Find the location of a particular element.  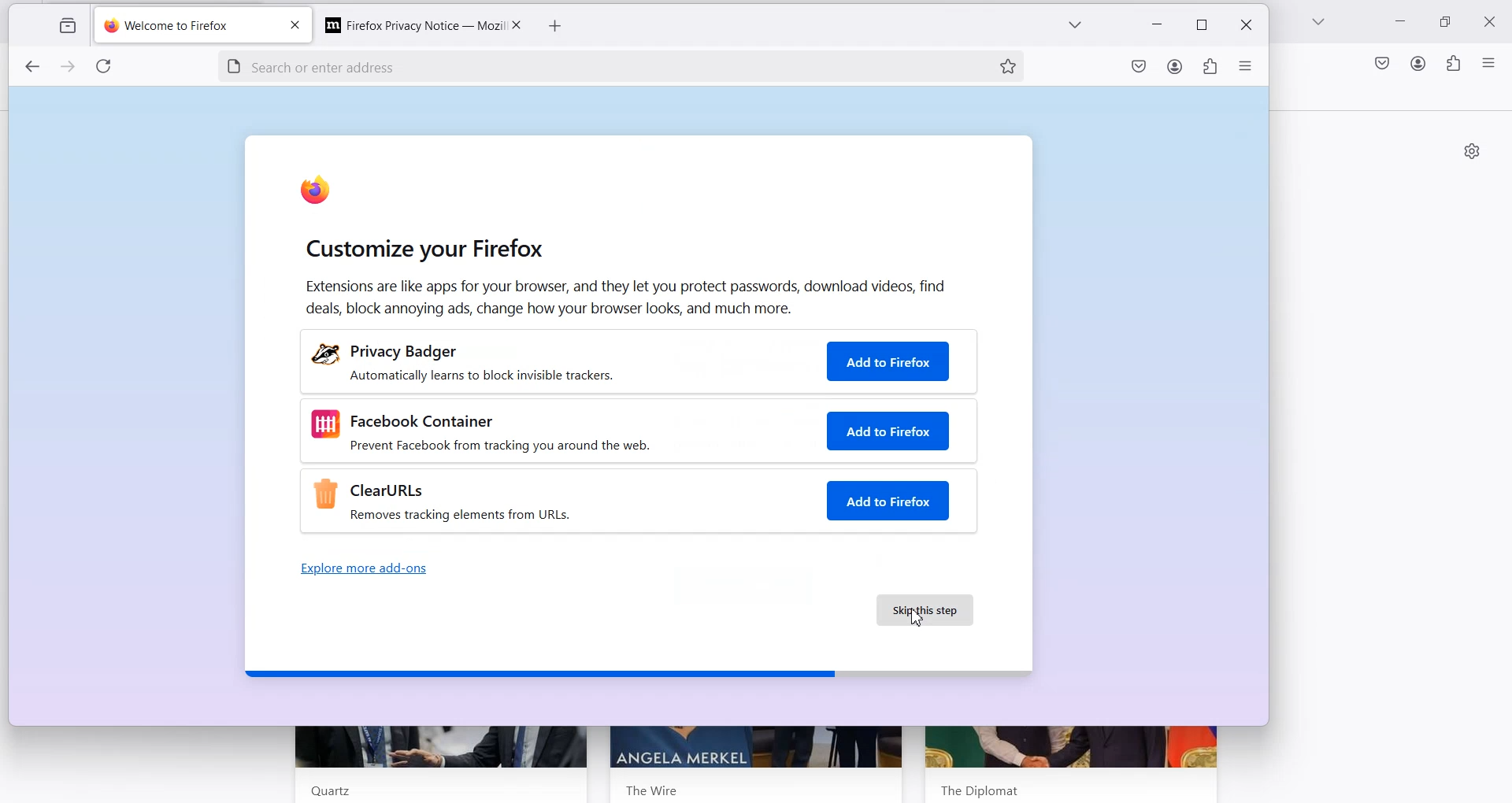

Automatically learns to block invisible trackers. is located at coordinates (561, 376).